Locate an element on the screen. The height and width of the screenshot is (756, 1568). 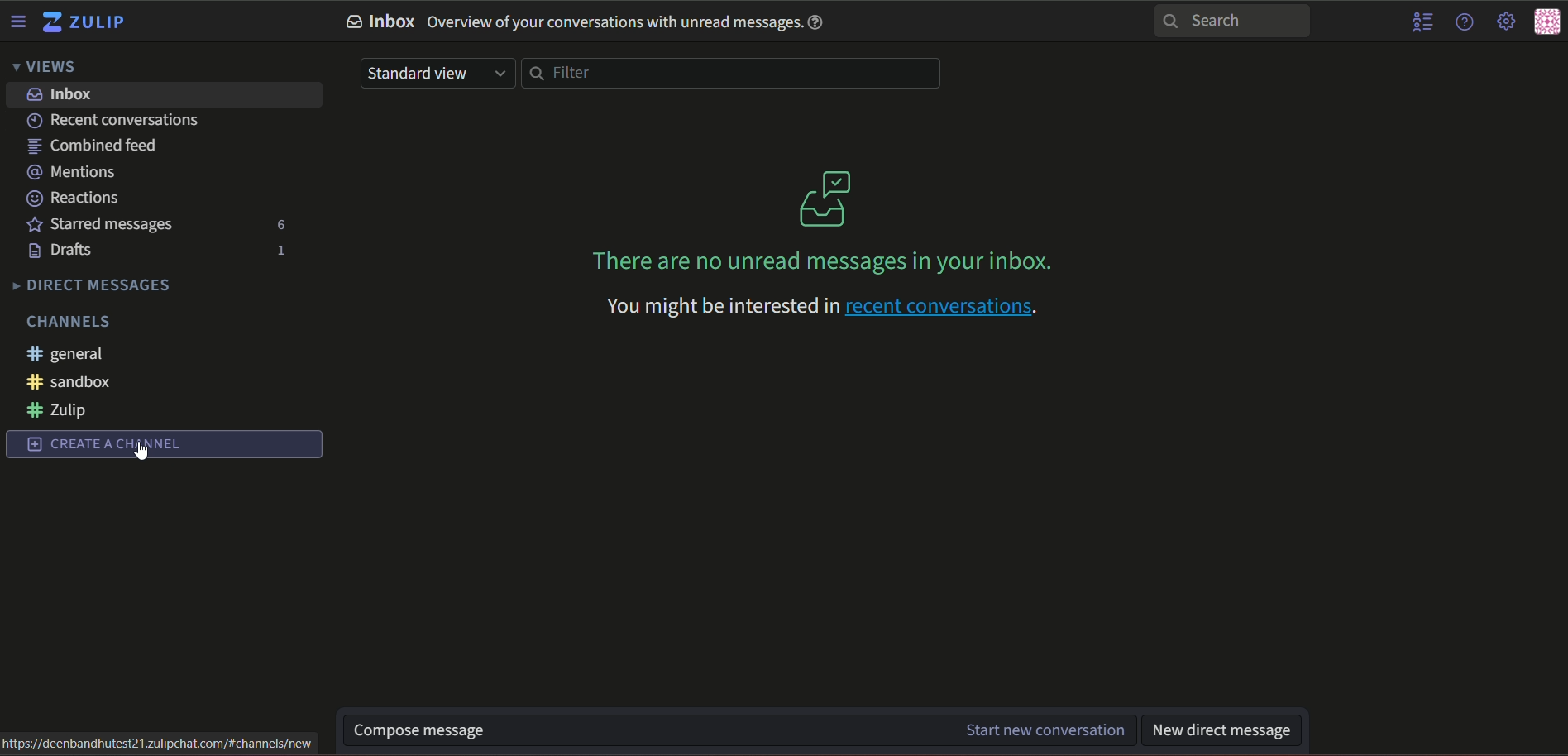
gear menu is located at coordinates (1504, 21).